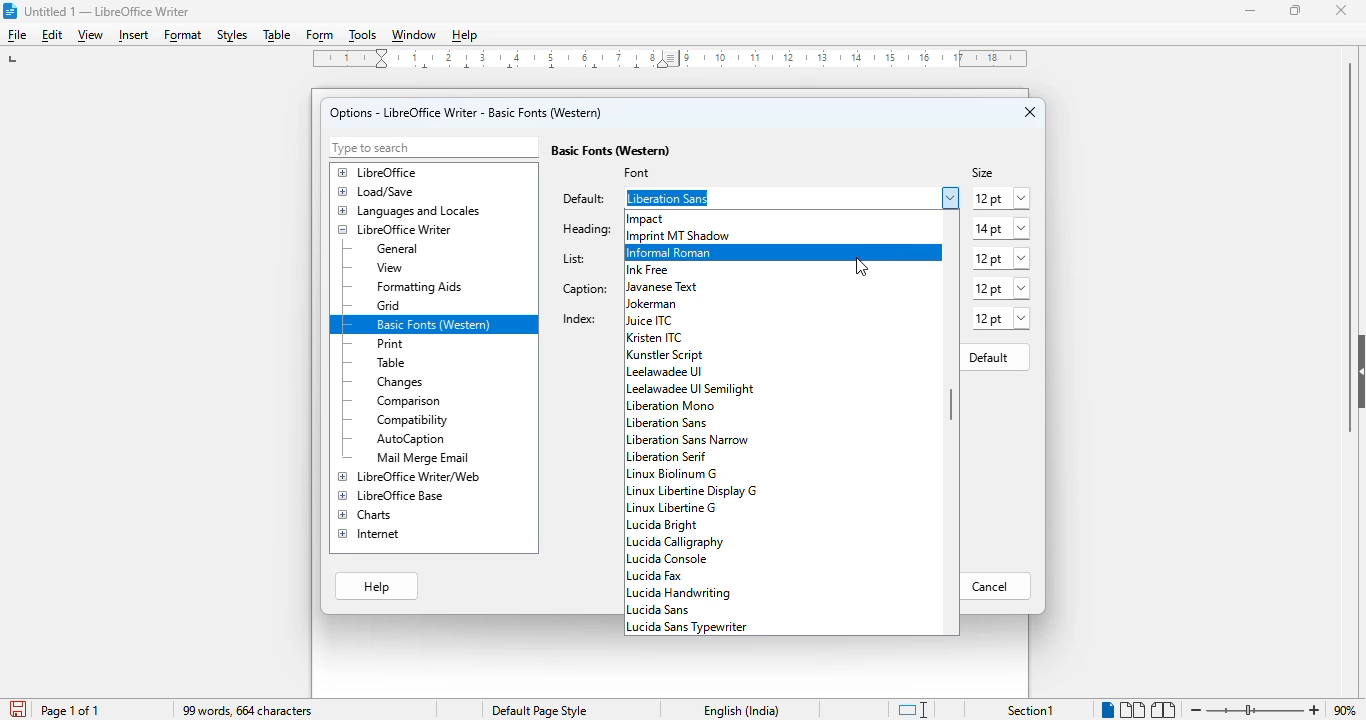 The image size is (1366, 720). Describe the element at coordinates (999, 199) in the screenshot. I see `12 pt` at that location.